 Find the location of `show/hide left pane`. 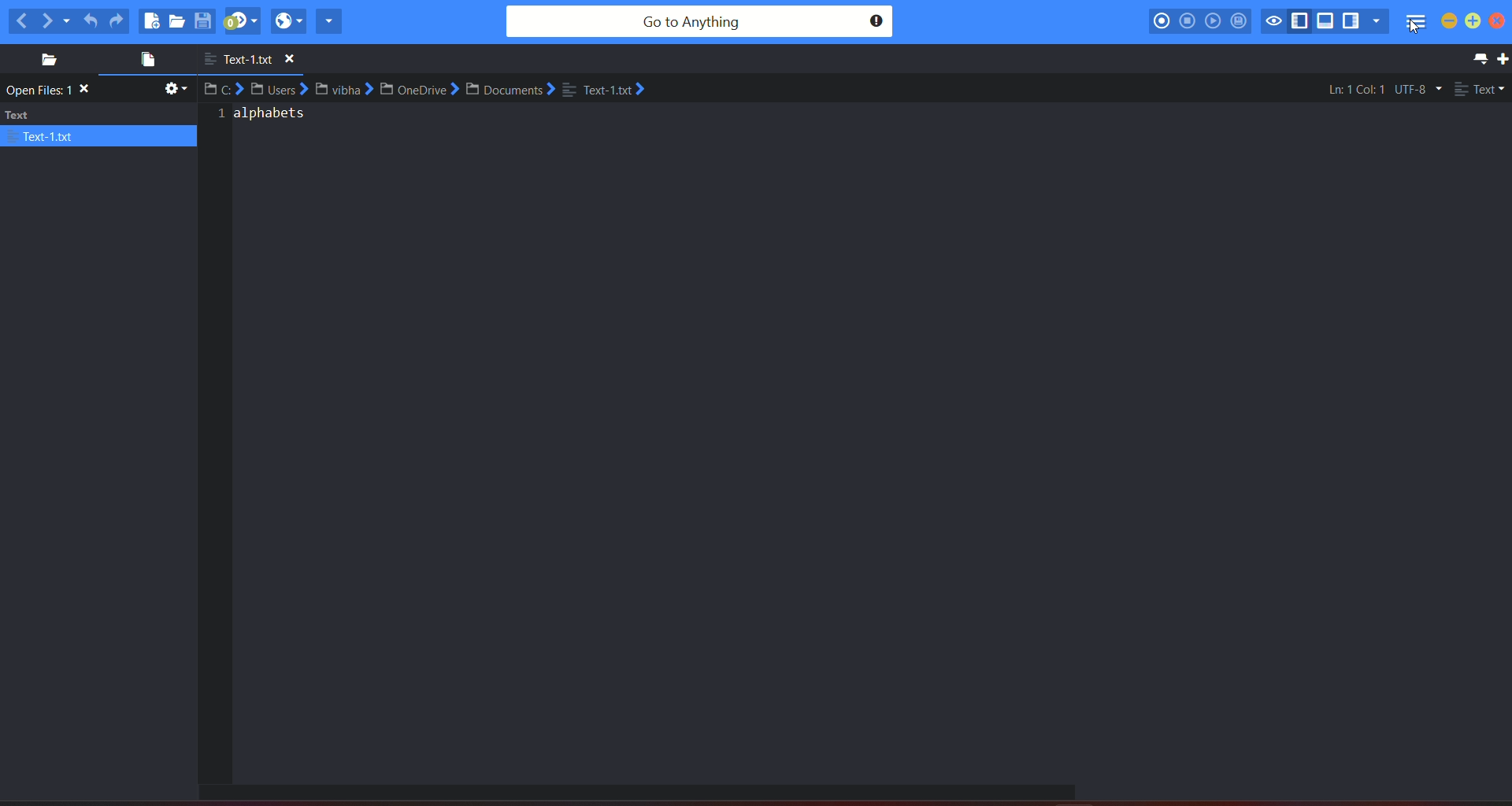

show/hide left pane is located at coordinates (1303, 21).